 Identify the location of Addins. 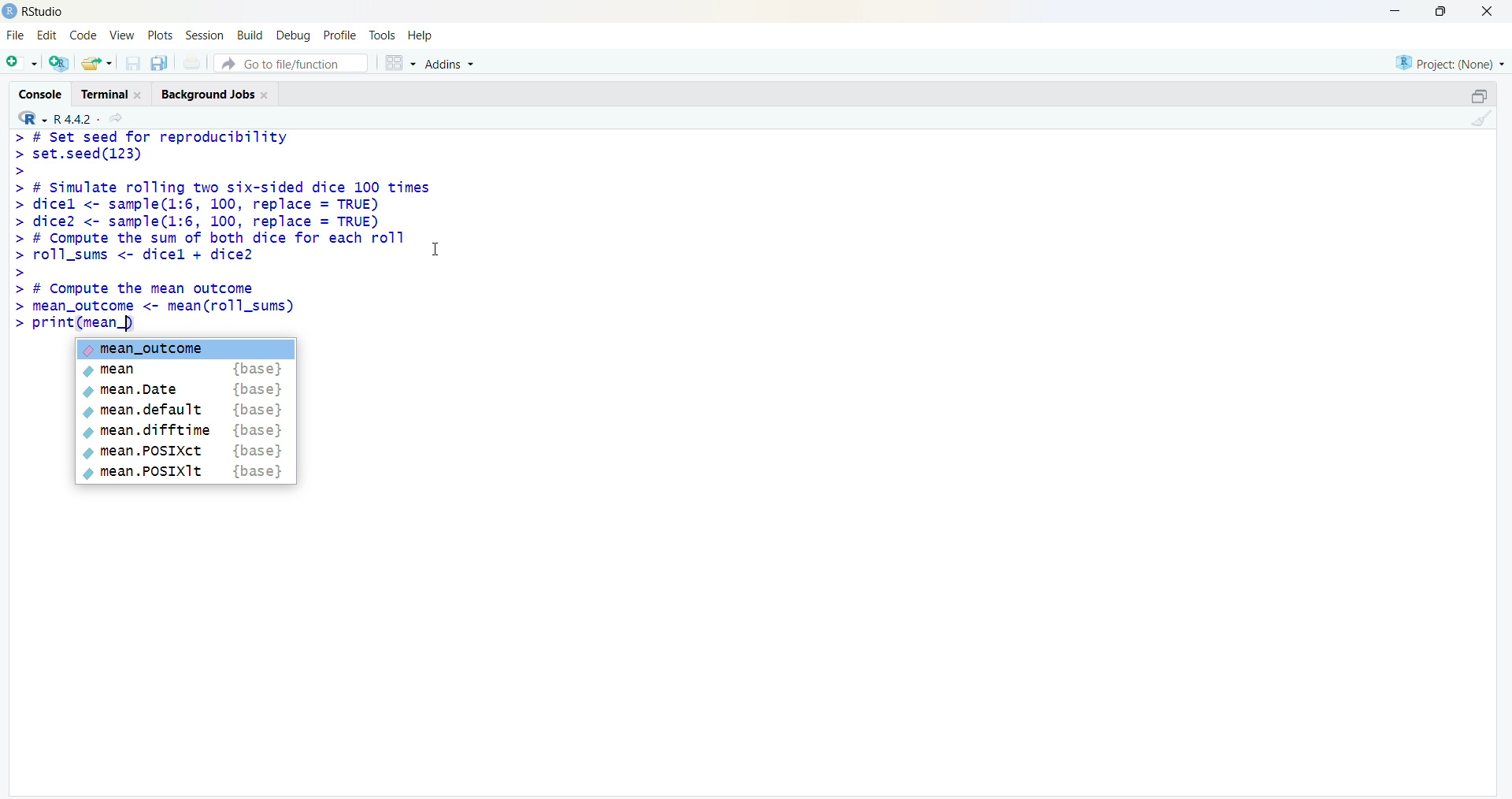
(451, 64).